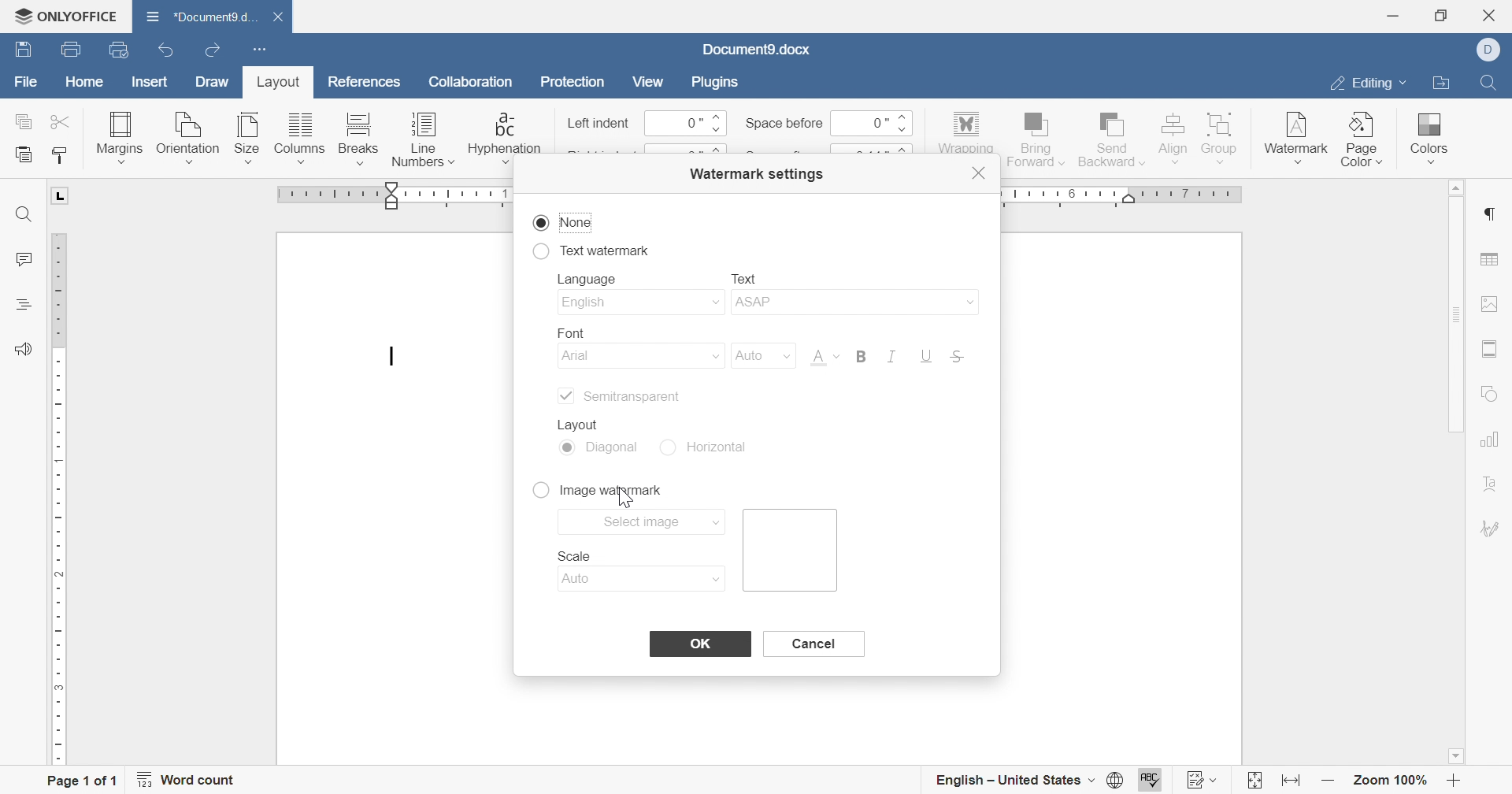 The image size is (1512, 794). I want to click on find, so click(24, 215).